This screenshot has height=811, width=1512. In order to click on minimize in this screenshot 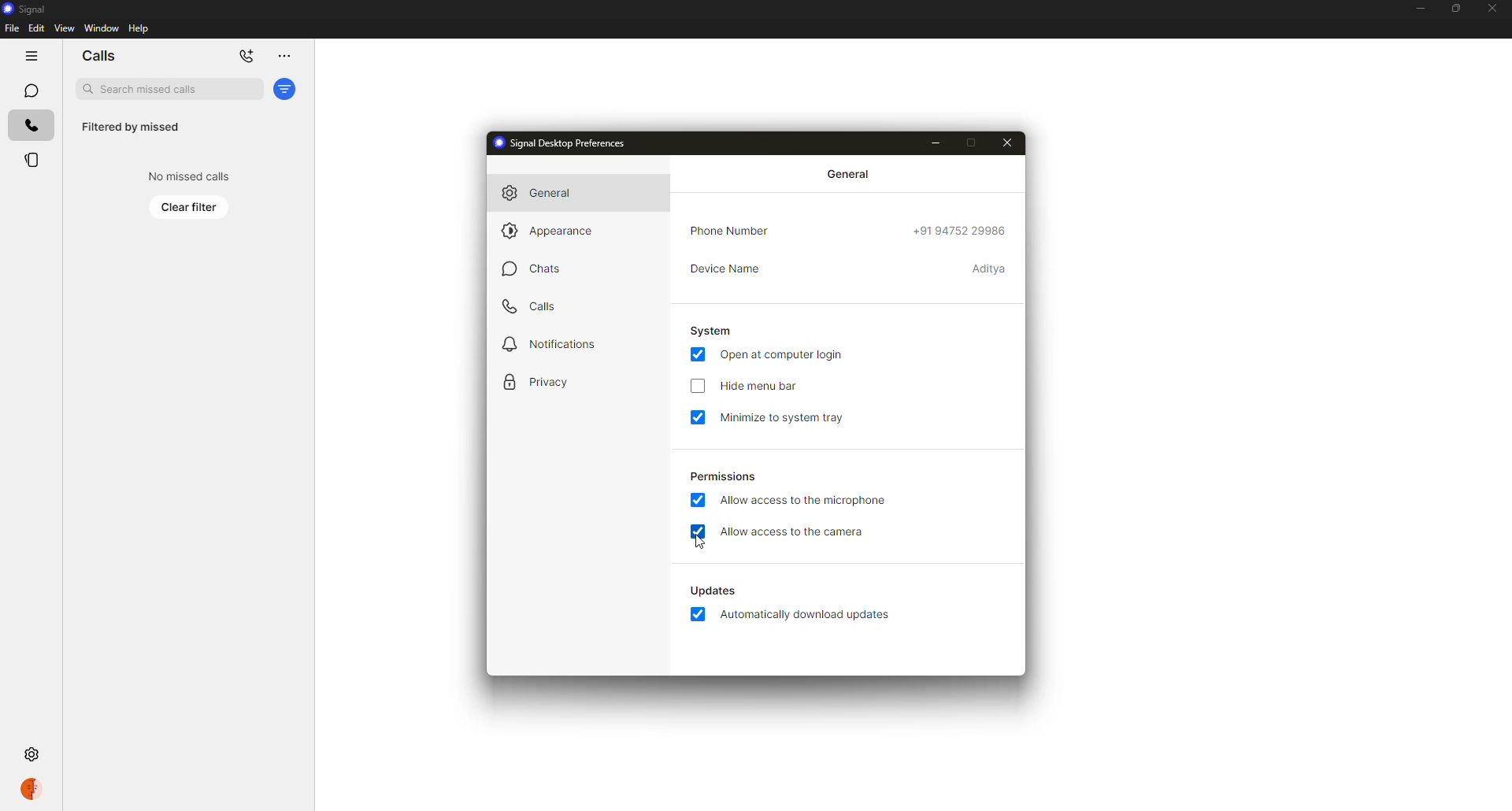, I will do `click(936, 143)`.